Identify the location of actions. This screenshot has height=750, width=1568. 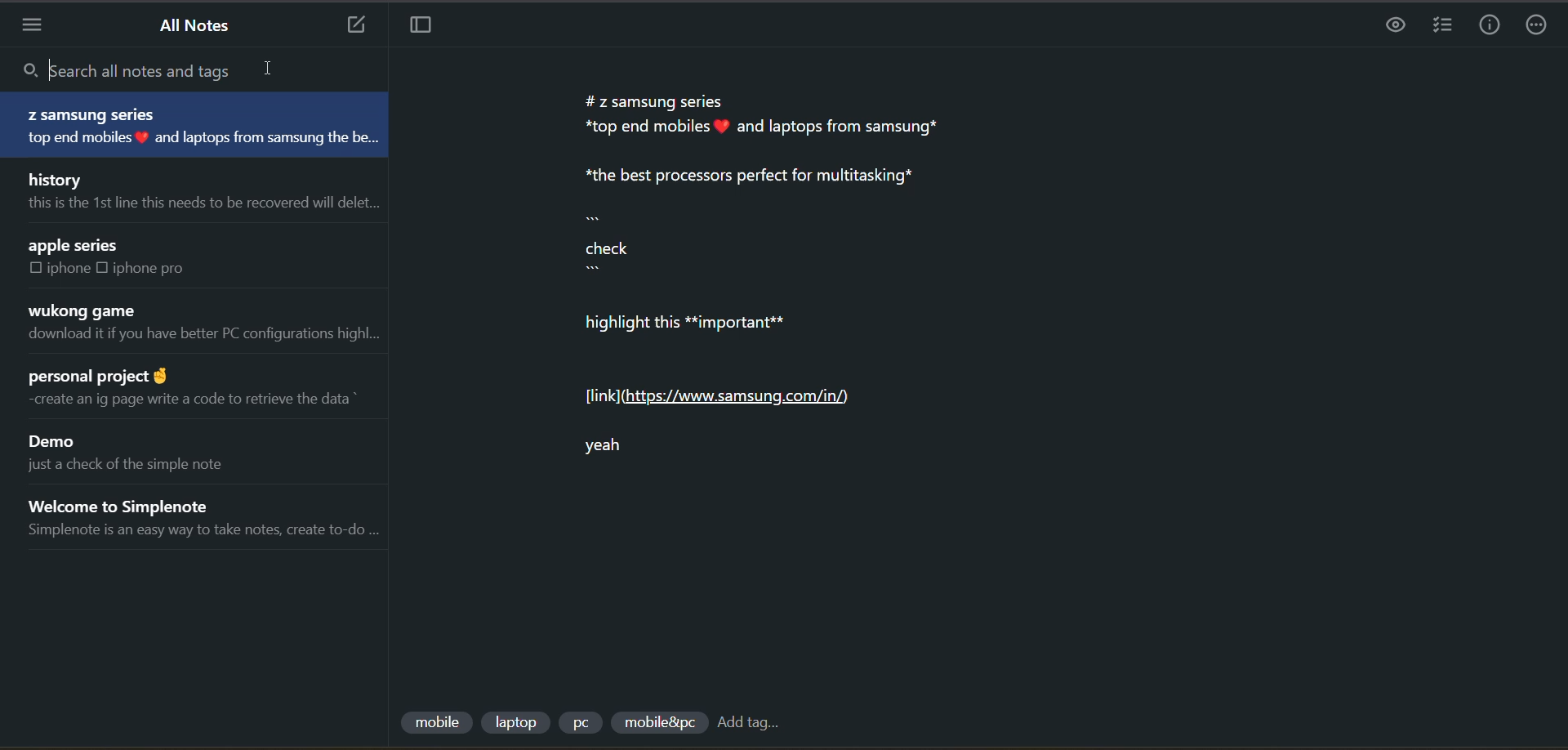
(1539, 25).